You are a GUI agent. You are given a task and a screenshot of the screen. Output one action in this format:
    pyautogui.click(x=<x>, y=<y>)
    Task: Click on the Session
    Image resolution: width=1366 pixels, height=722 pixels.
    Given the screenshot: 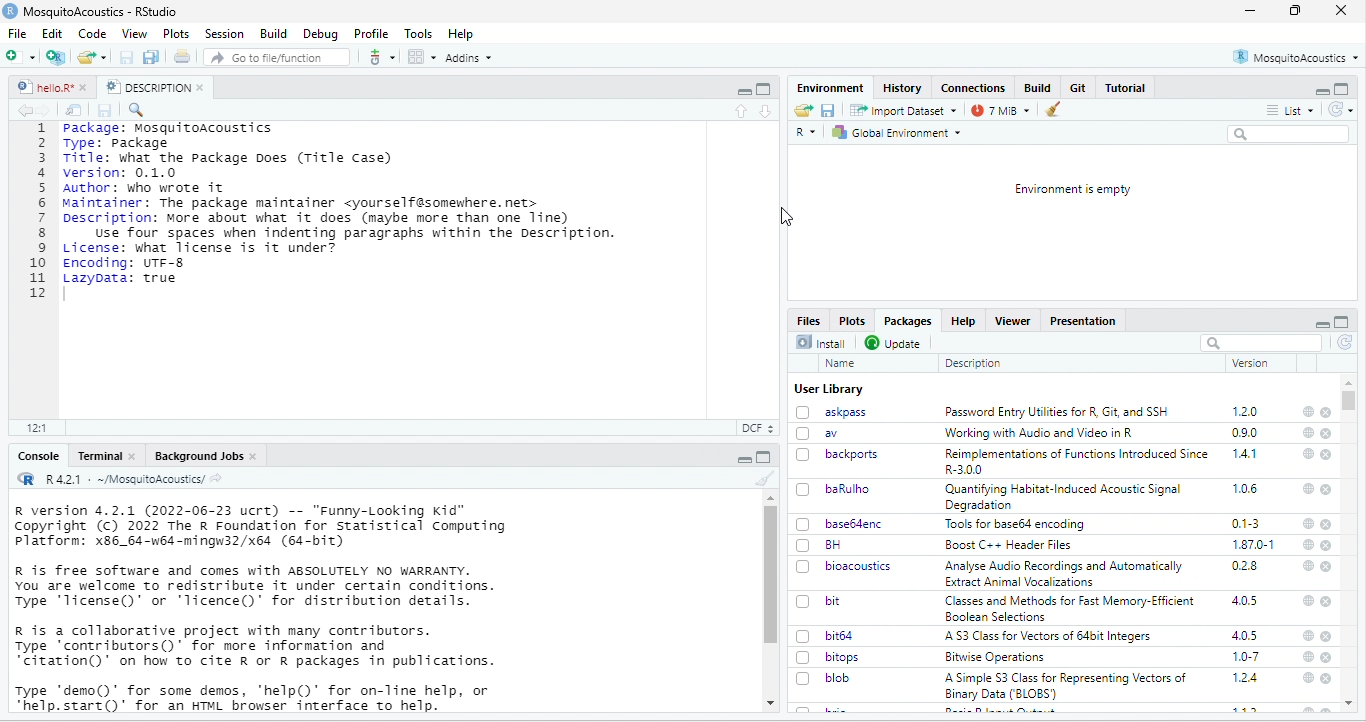 What is the action you would take?
    pyautogui.click(x=224, y=34)
    